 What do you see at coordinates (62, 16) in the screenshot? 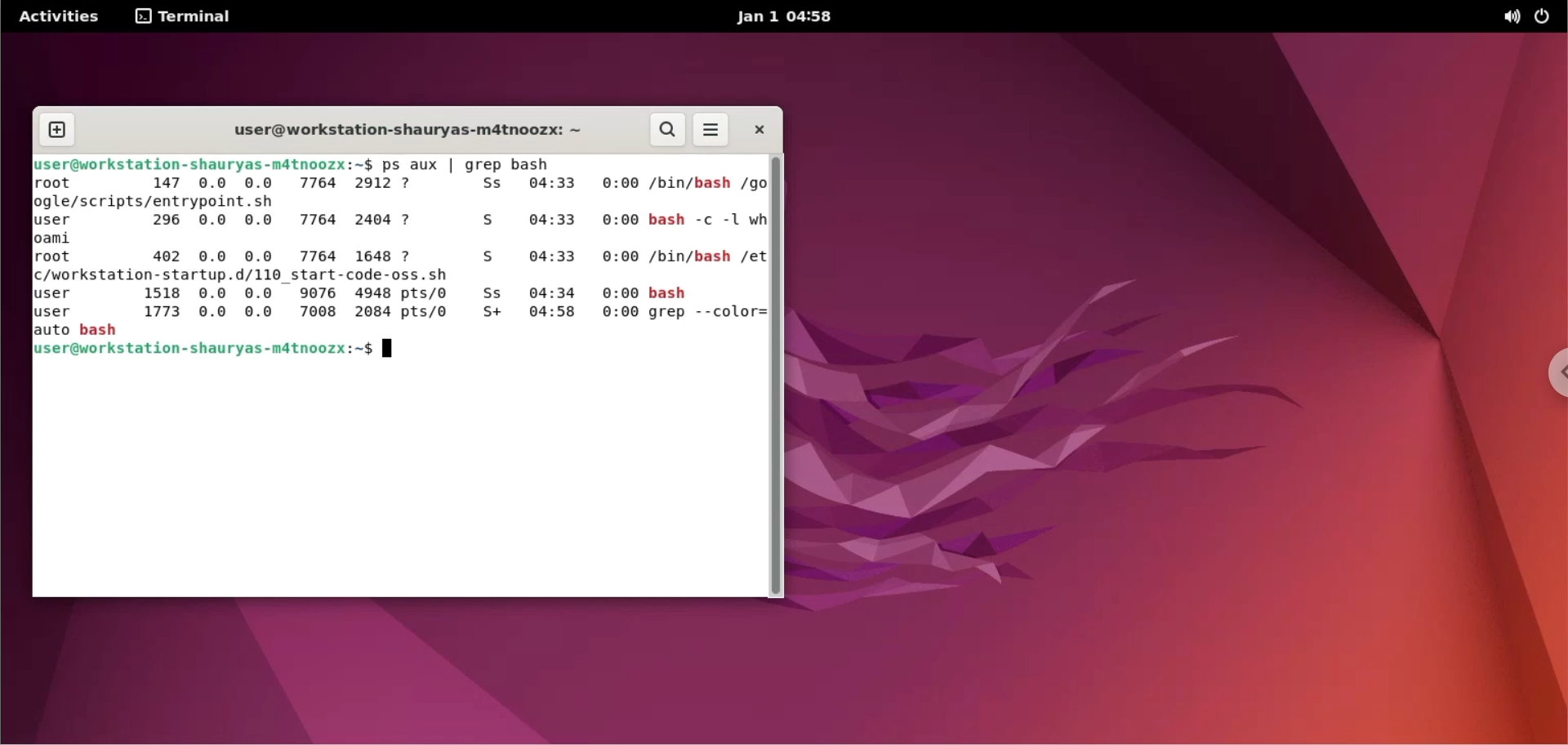
I see `Activities` at bounding box center [62, 16].